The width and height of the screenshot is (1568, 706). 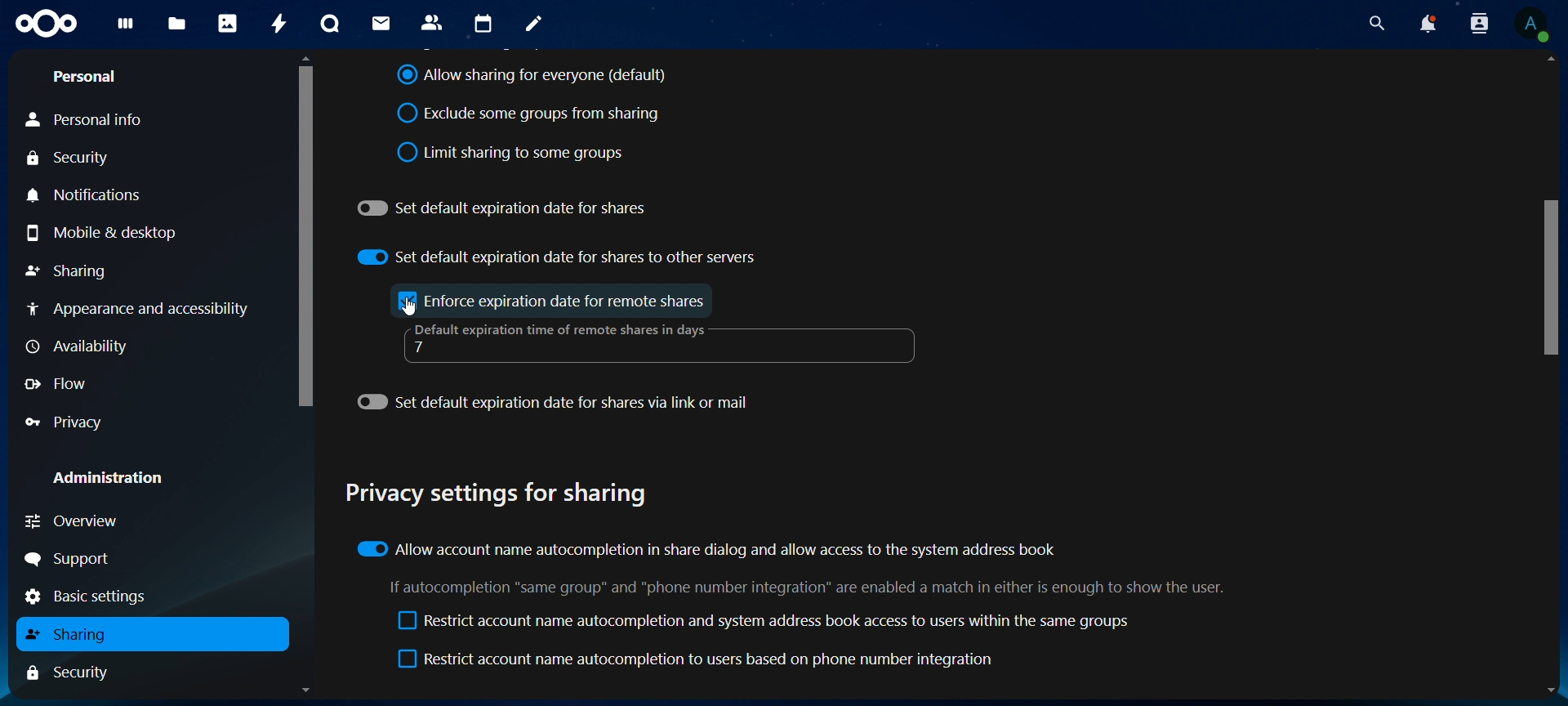 I want to click on contacts, so click(x=431, y=22).